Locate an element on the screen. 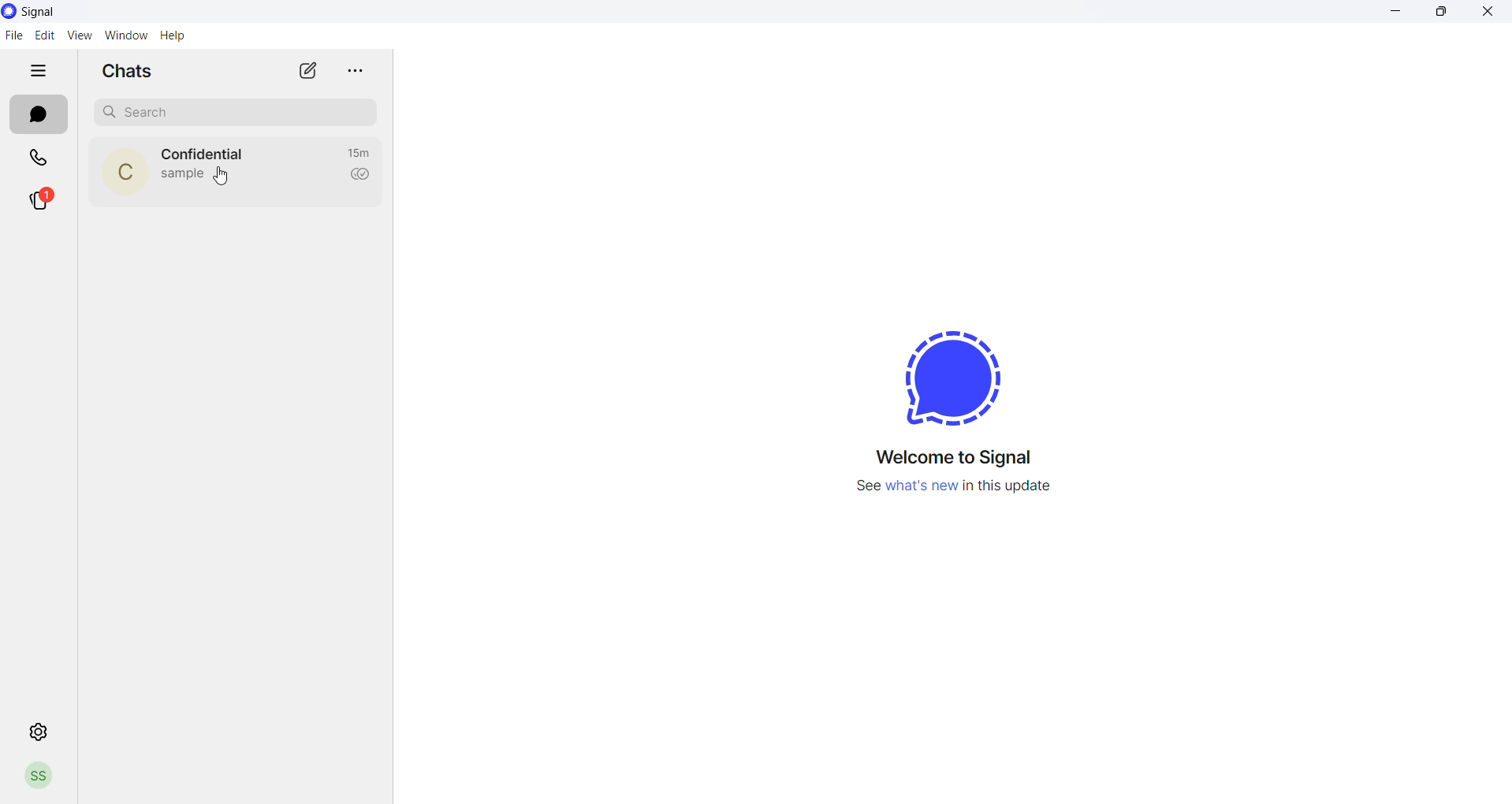 The height and width of the screenshot is (804, 1512). minimize is located at coordinates (1395, 14).